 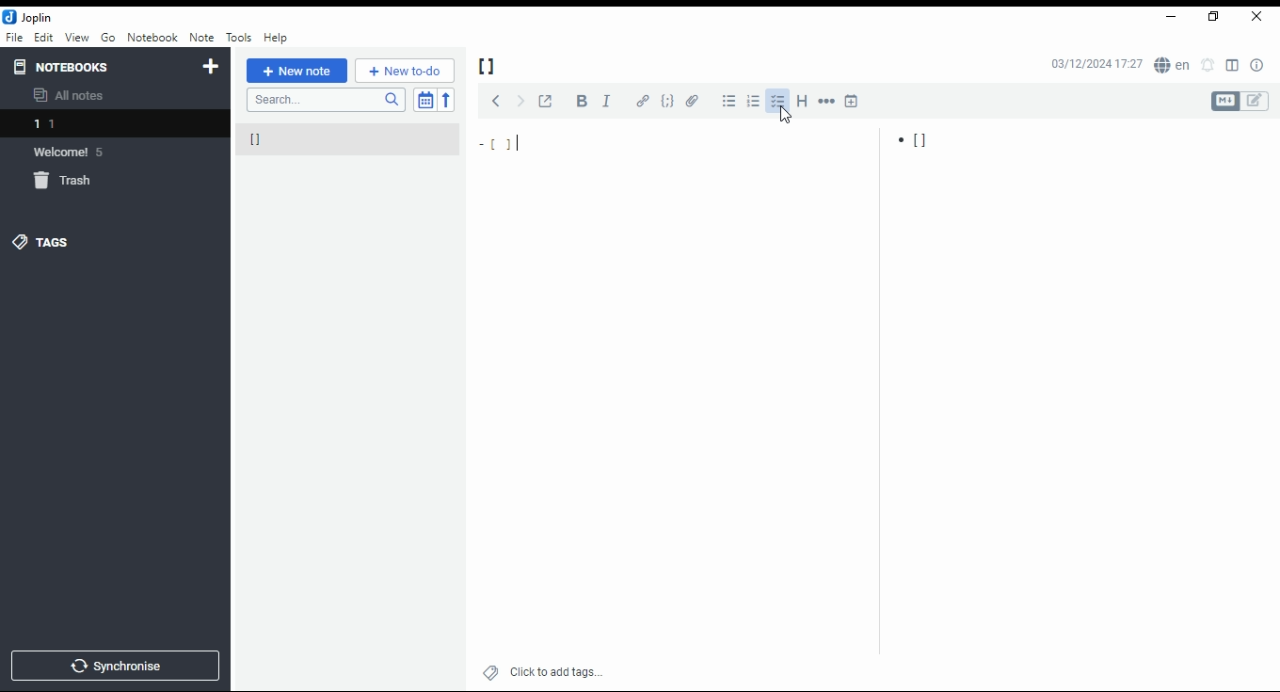 I want to click on welcome, so click(x=76, y=152).